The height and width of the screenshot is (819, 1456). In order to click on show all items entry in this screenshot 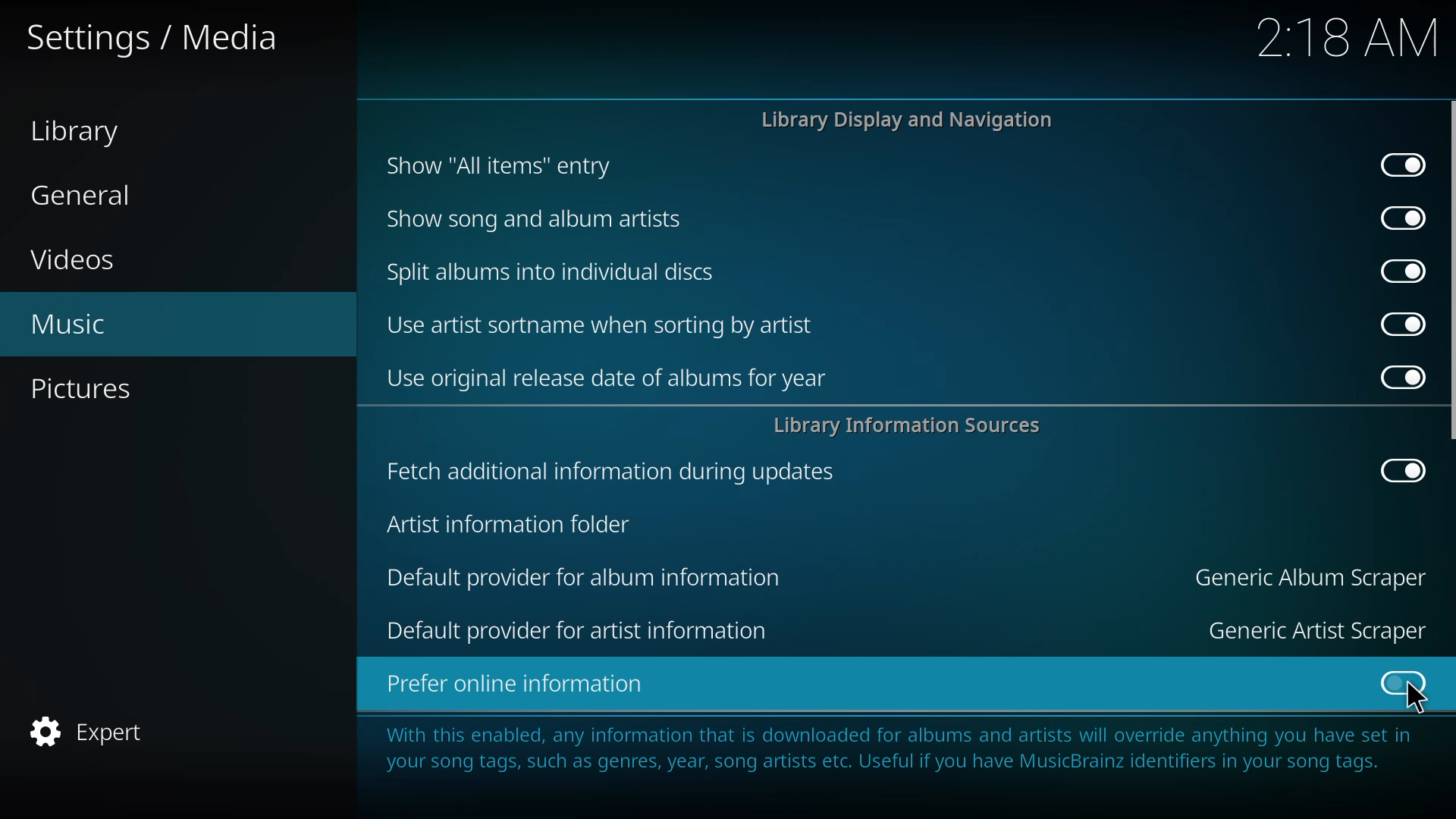, I will do `click(497, 165)`.